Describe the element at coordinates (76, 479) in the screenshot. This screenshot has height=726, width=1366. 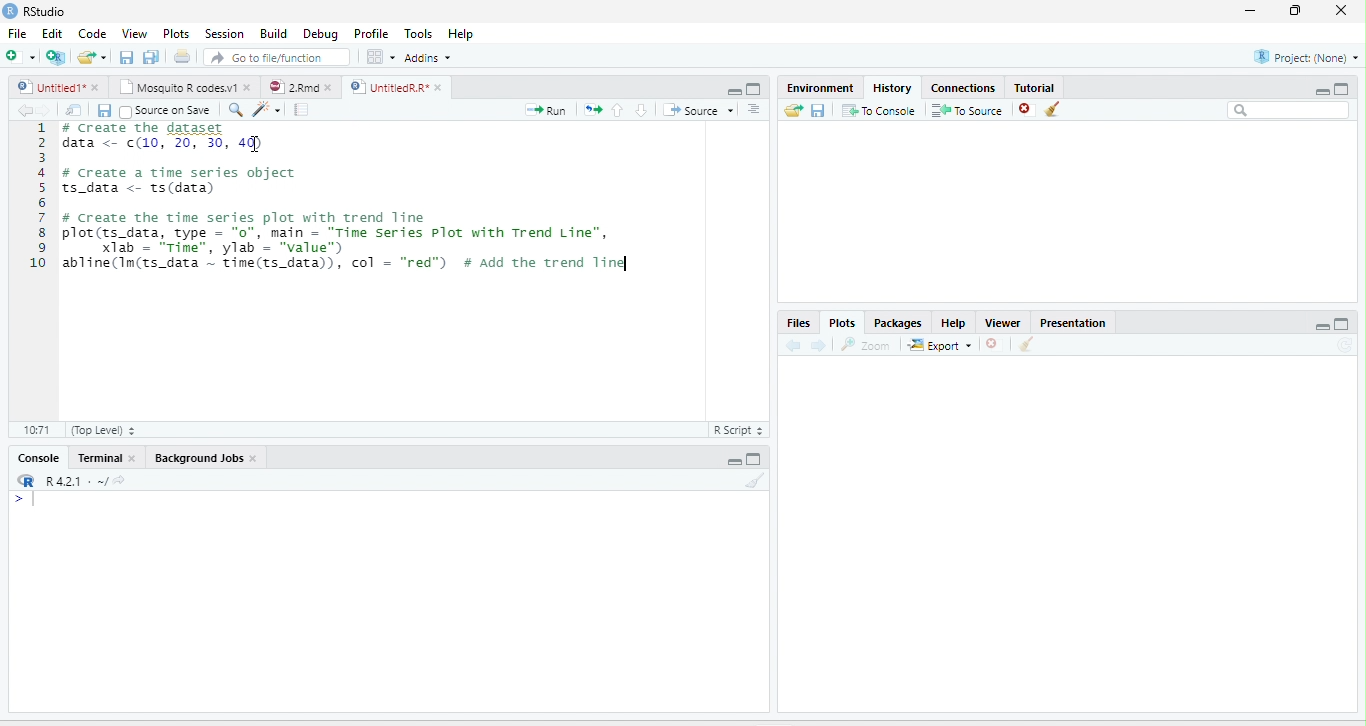
I see `R 4.2.1 . ~/` at that location.